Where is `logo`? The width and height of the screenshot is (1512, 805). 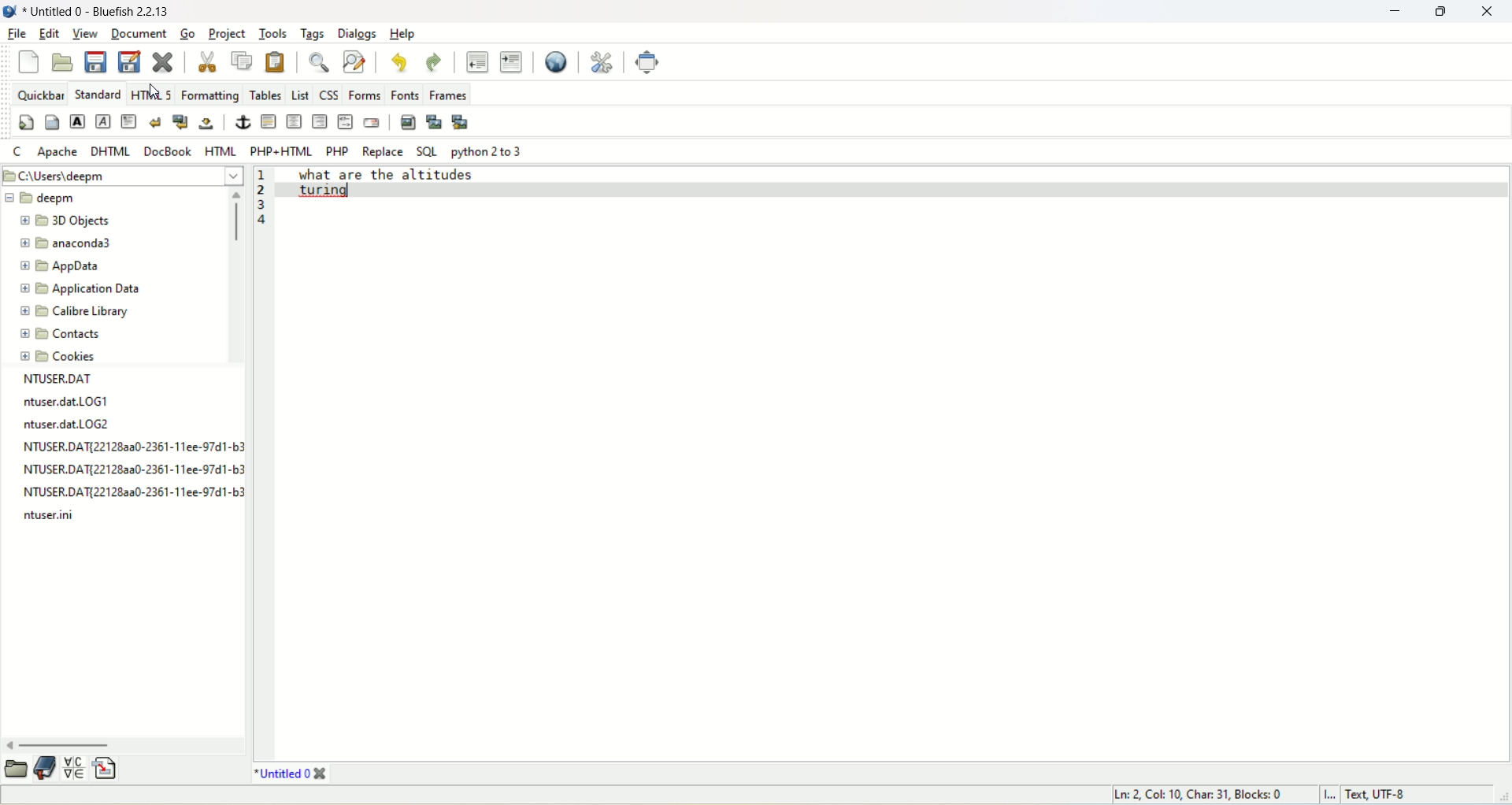
logo is located at coordinates (9, 11).